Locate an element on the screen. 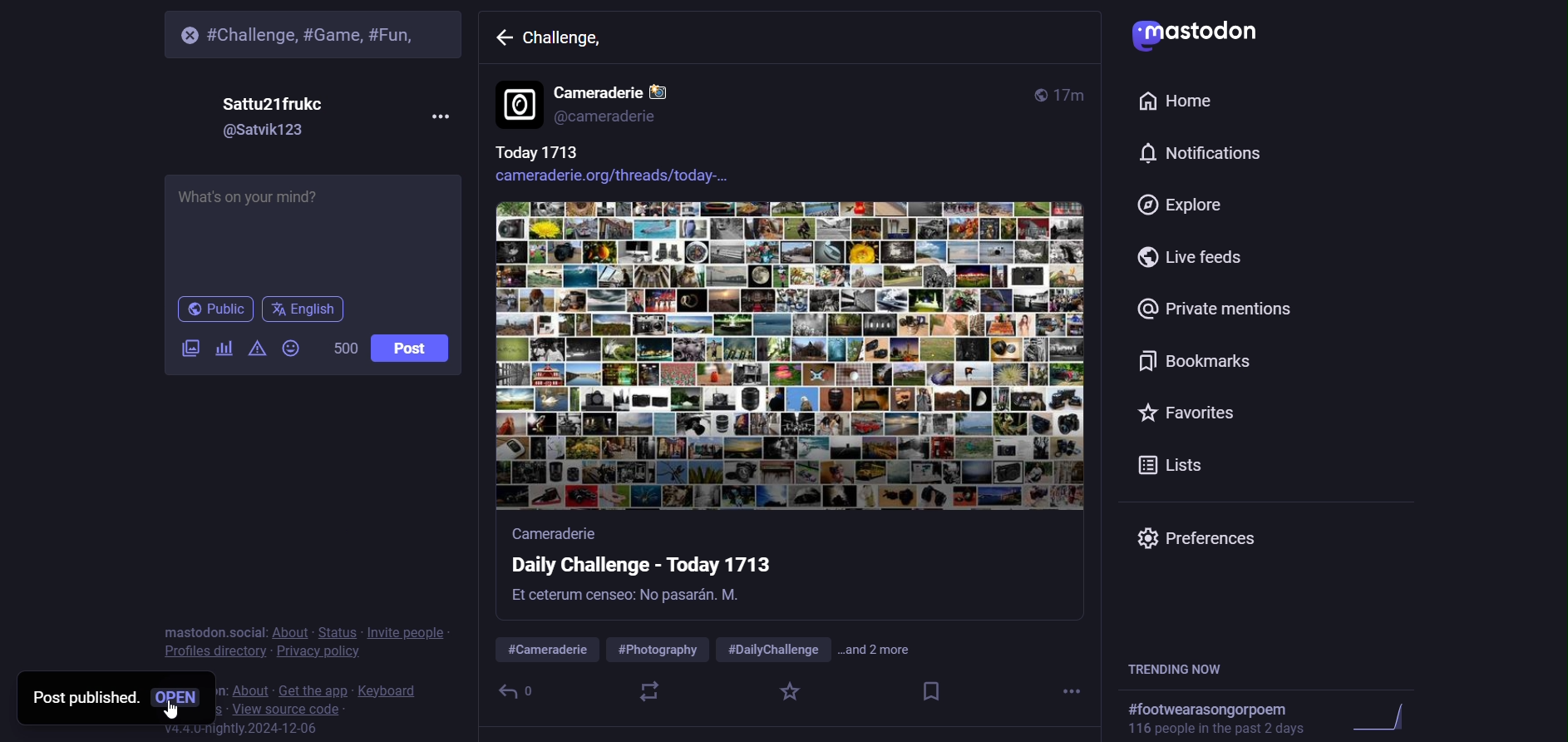 This screenshot has height=742, width=1568. image is located at coordinates (795, 359).